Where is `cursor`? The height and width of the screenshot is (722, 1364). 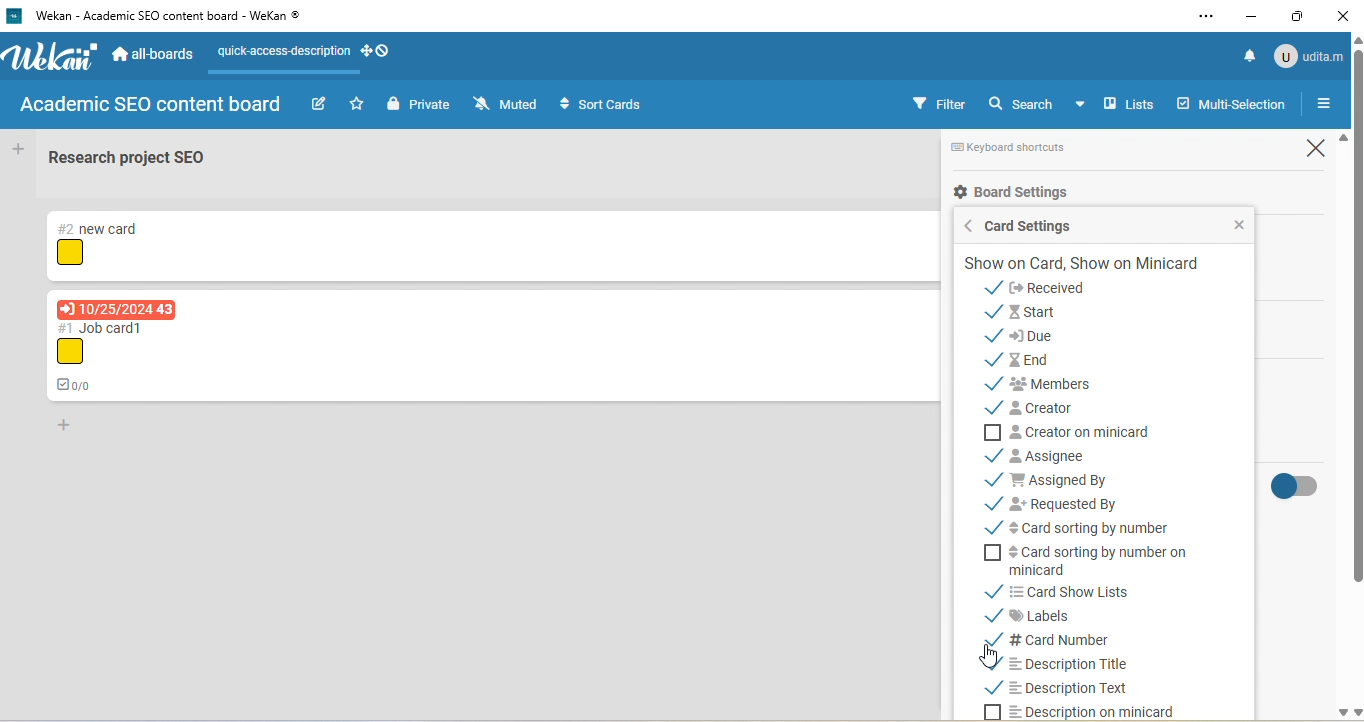
cursor is located at coordinates (987, 656).